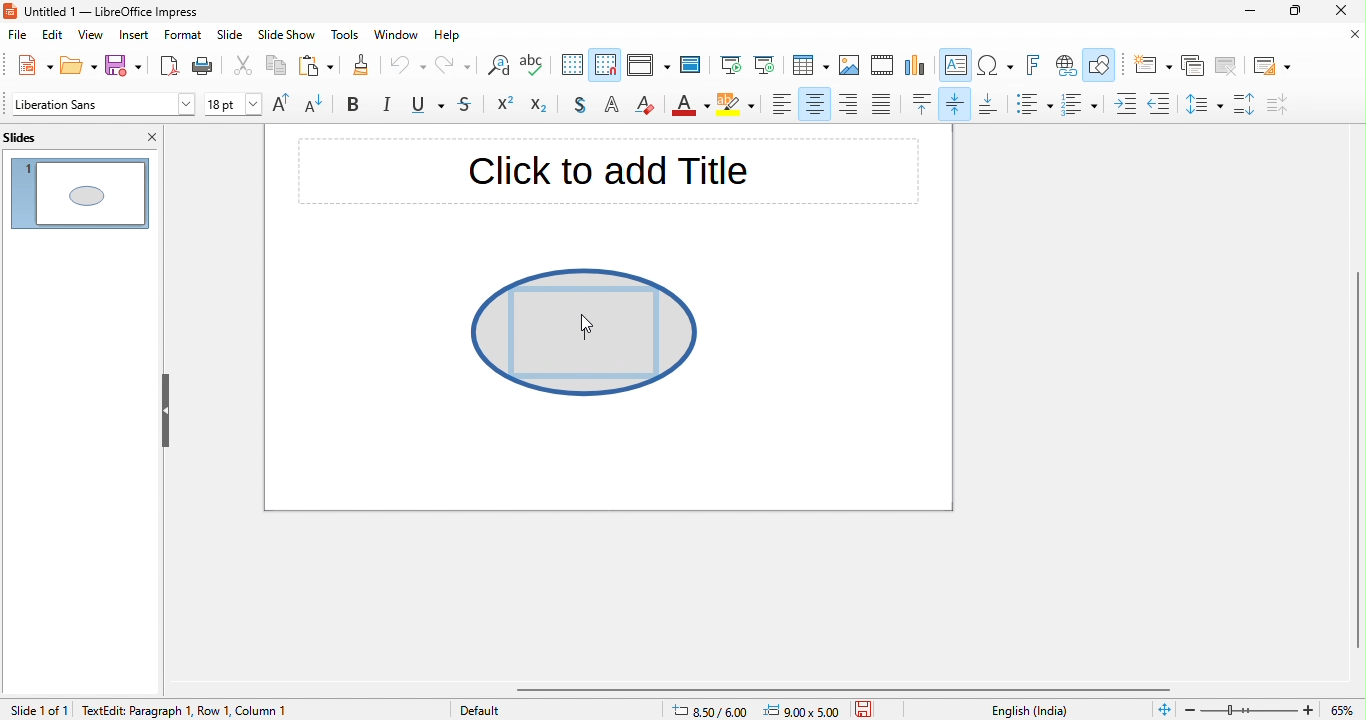 The height and width of the screenshot is (720, 1366). What do you see at coordinates (647, 67) in the screenshot?
I see `display view` at bounding box center [647, 67].